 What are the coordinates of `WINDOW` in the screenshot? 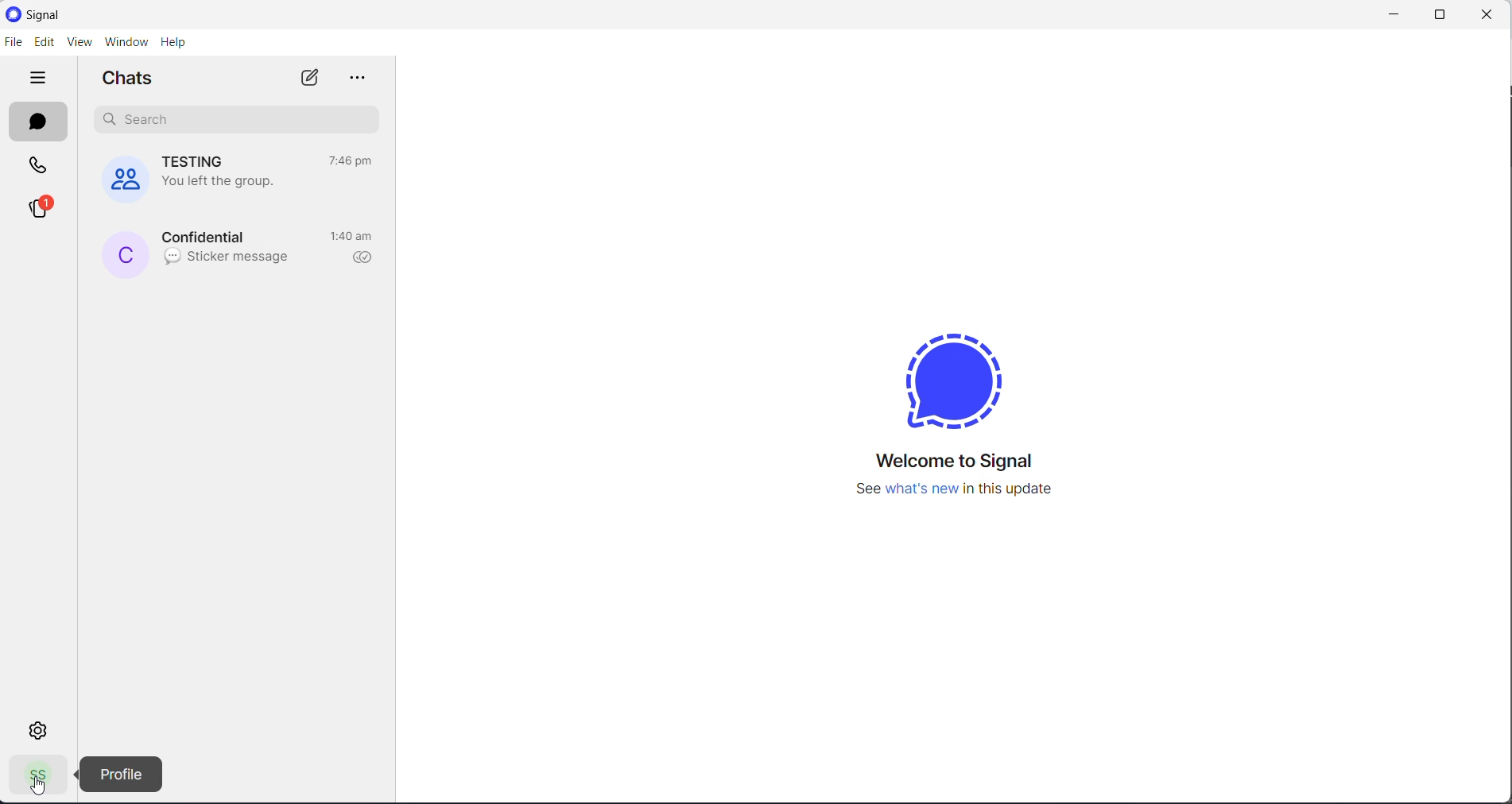 It's located at (126, 42).